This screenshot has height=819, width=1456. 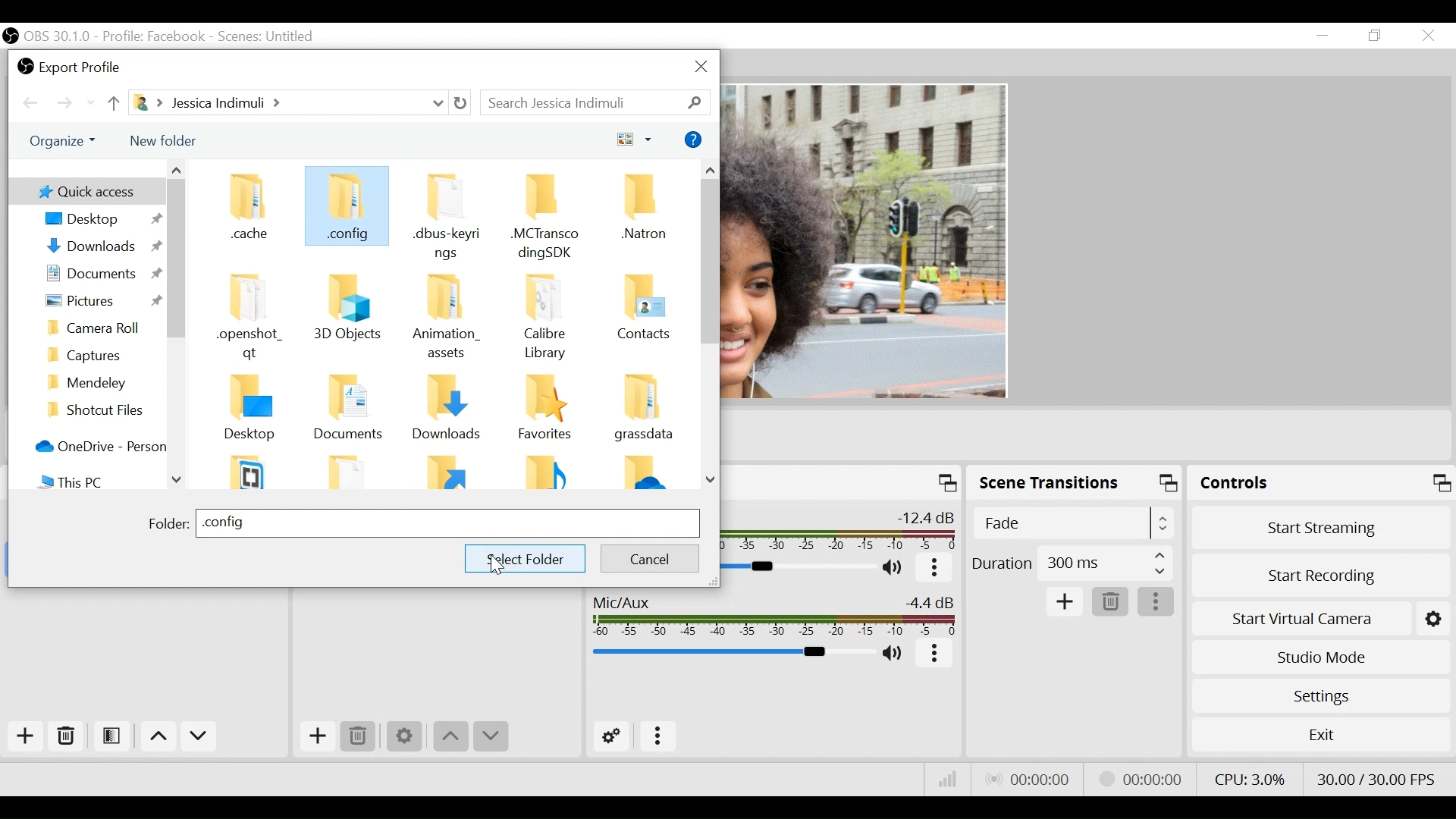 I want to click on (un)mute, so click(x=897, y=569).